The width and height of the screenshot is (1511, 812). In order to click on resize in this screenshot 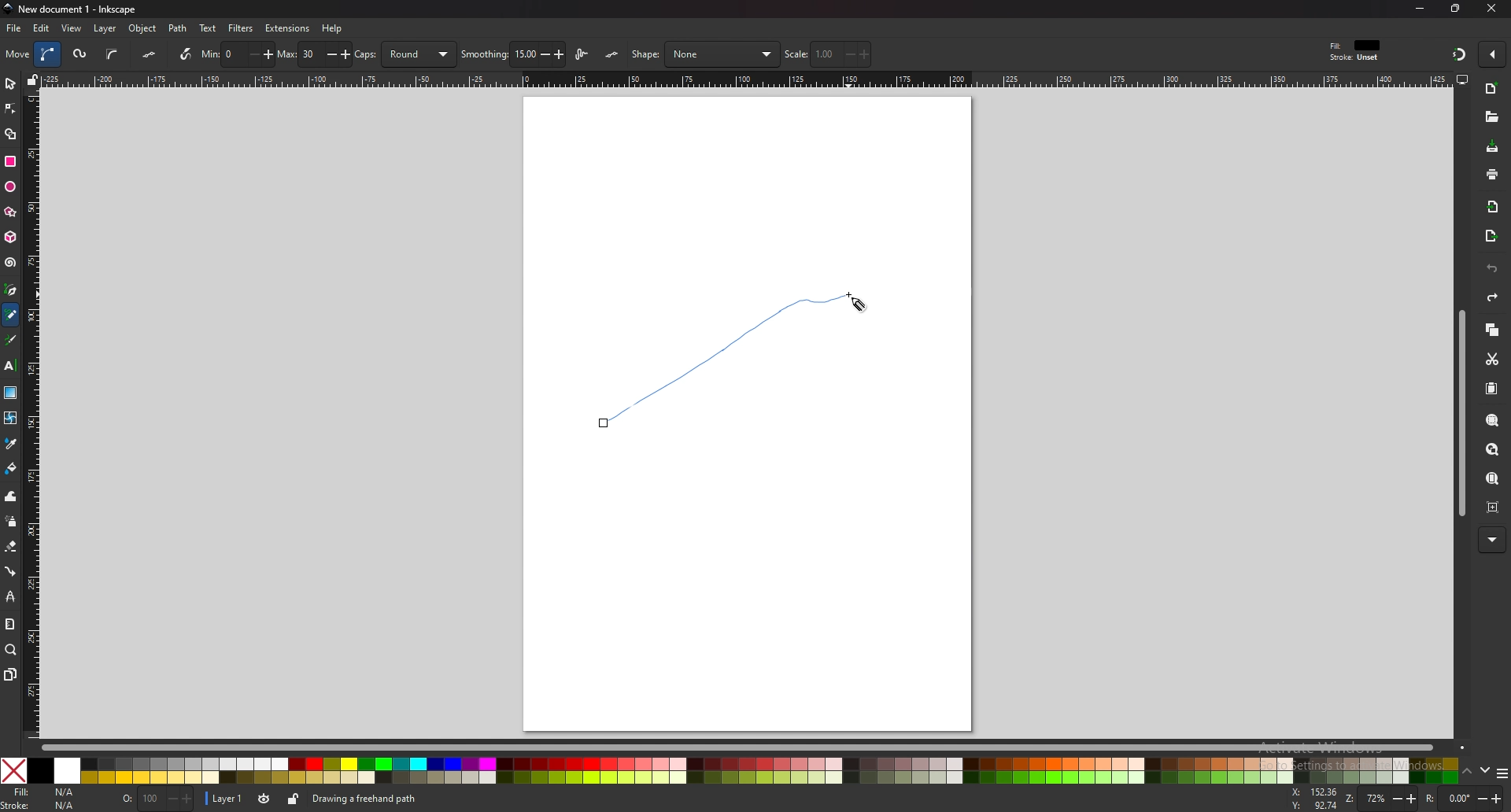, I will do `click(1454, 9)`.